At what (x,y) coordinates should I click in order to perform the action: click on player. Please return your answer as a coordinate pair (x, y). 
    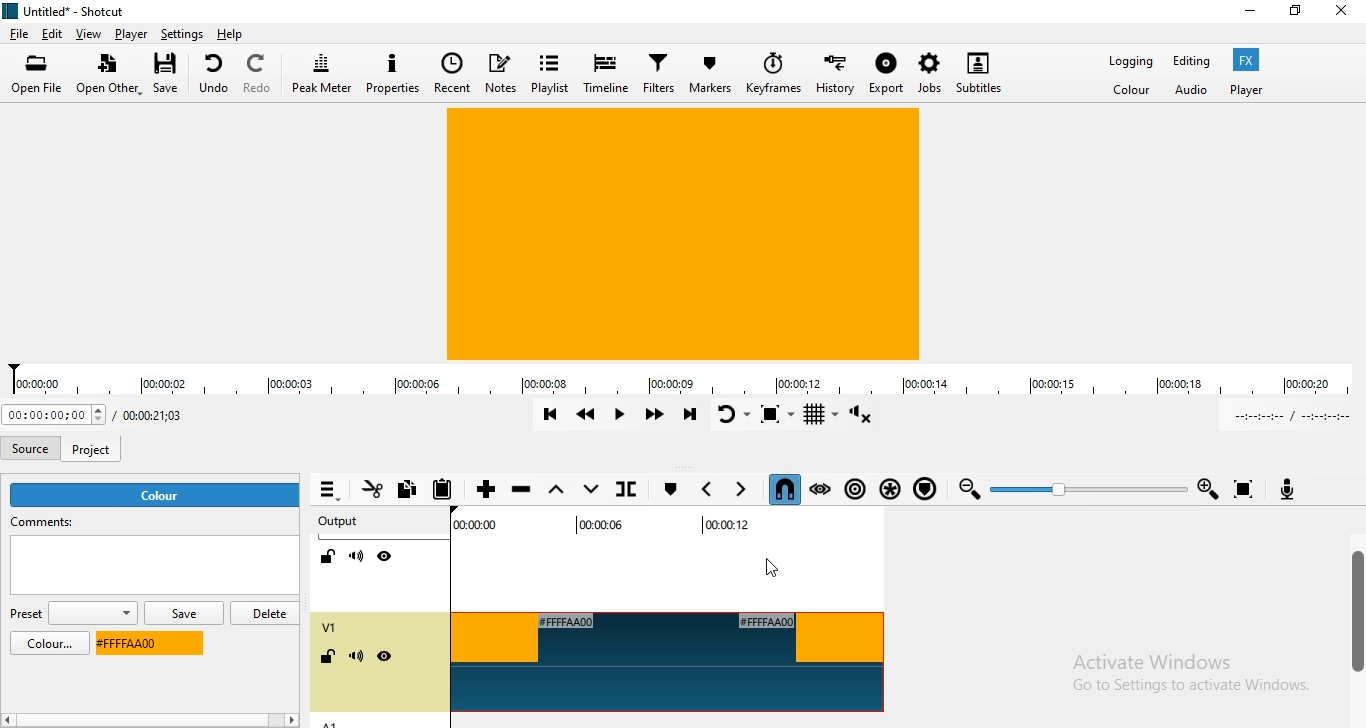
    Looking at the image, I should click on (1246, 90).